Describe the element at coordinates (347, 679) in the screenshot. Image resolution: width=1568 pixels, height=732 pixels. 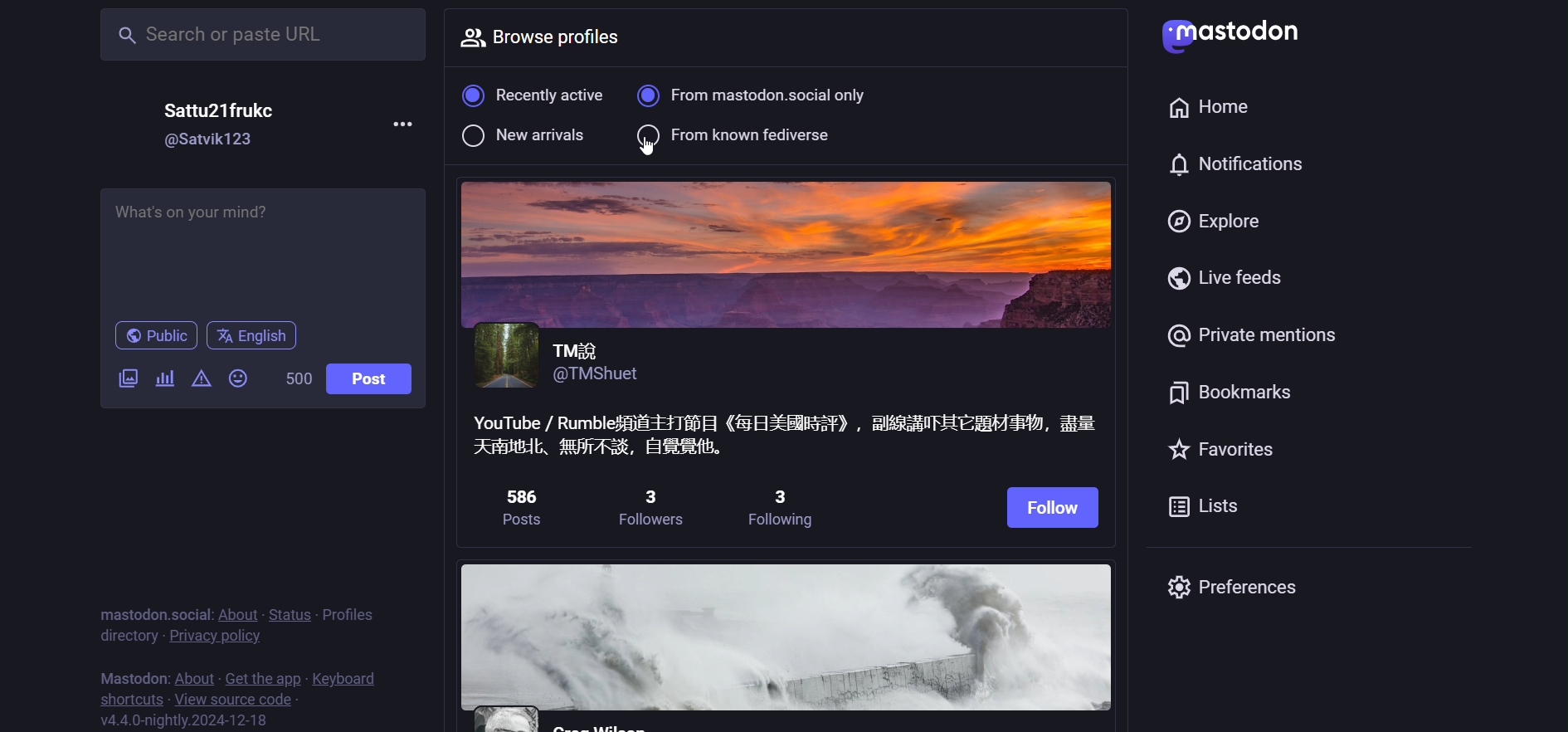
I see `keyboard` at that location.